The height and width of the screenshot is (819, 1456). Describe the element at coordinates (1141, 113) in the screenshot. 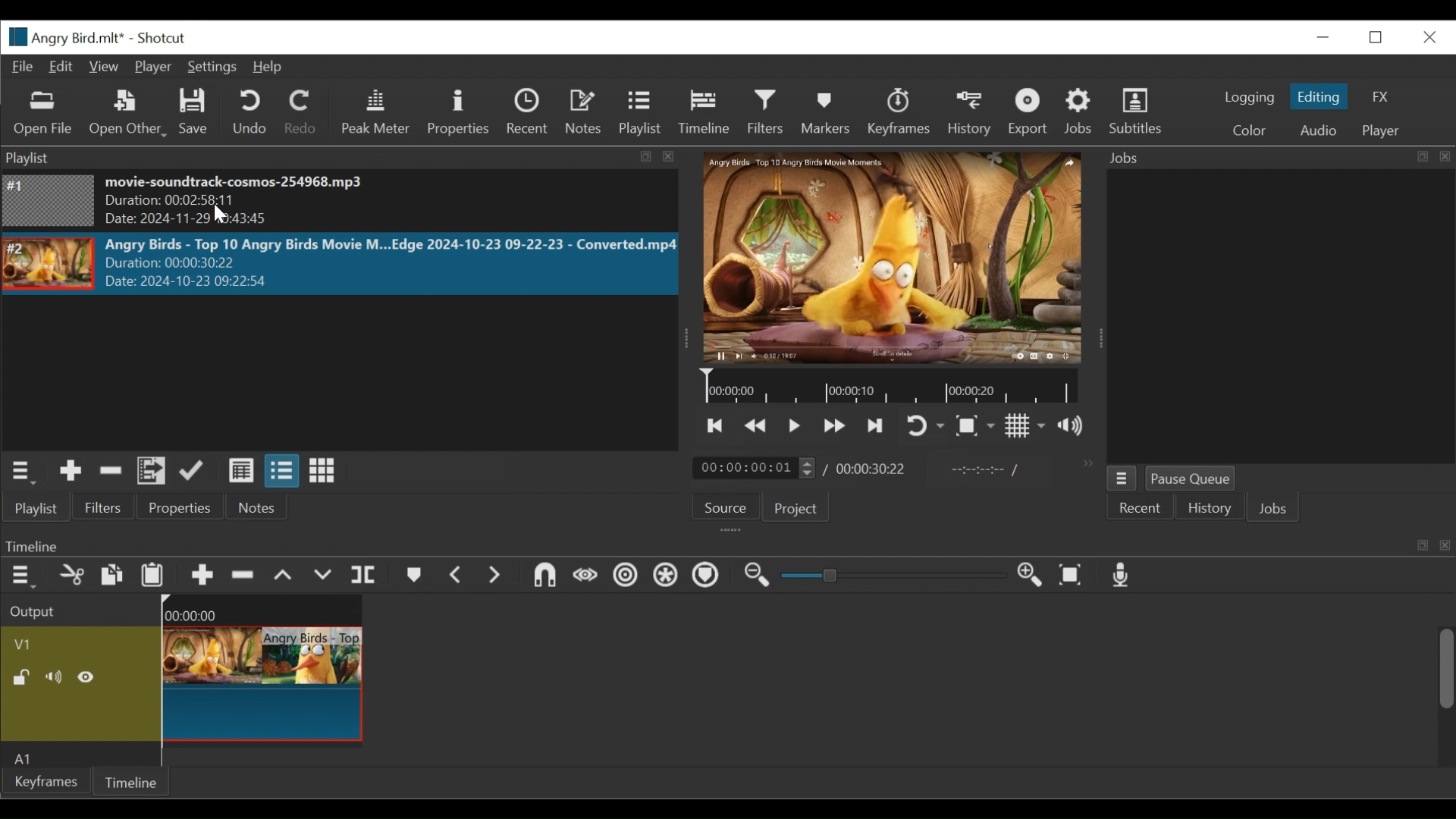

I see `Subtitles` at that location.